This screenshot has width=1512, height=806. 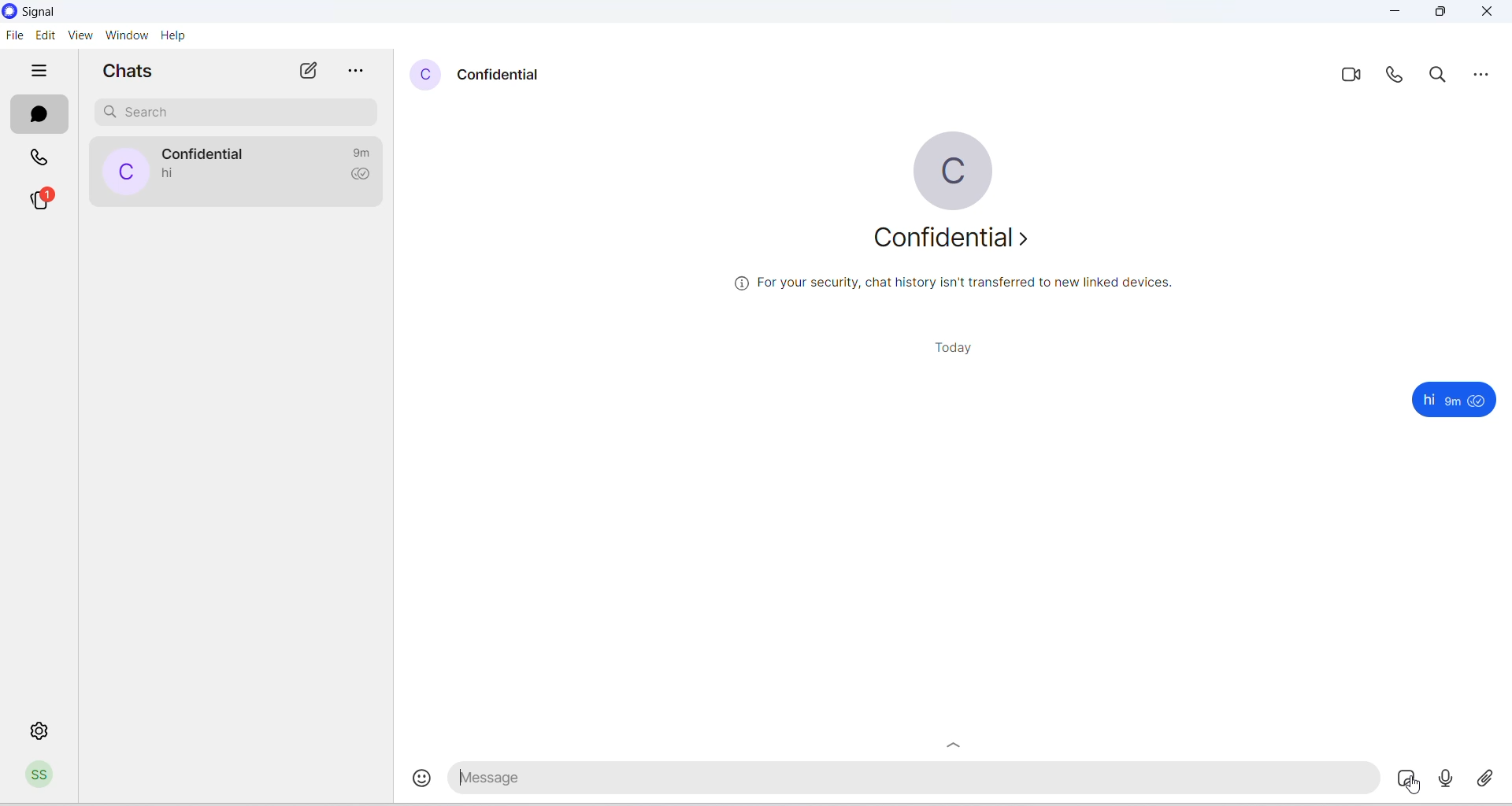 What do you see at coordinates (955, 243) in the screenshot?
I see `about contact` at bounding box center [955, 243].